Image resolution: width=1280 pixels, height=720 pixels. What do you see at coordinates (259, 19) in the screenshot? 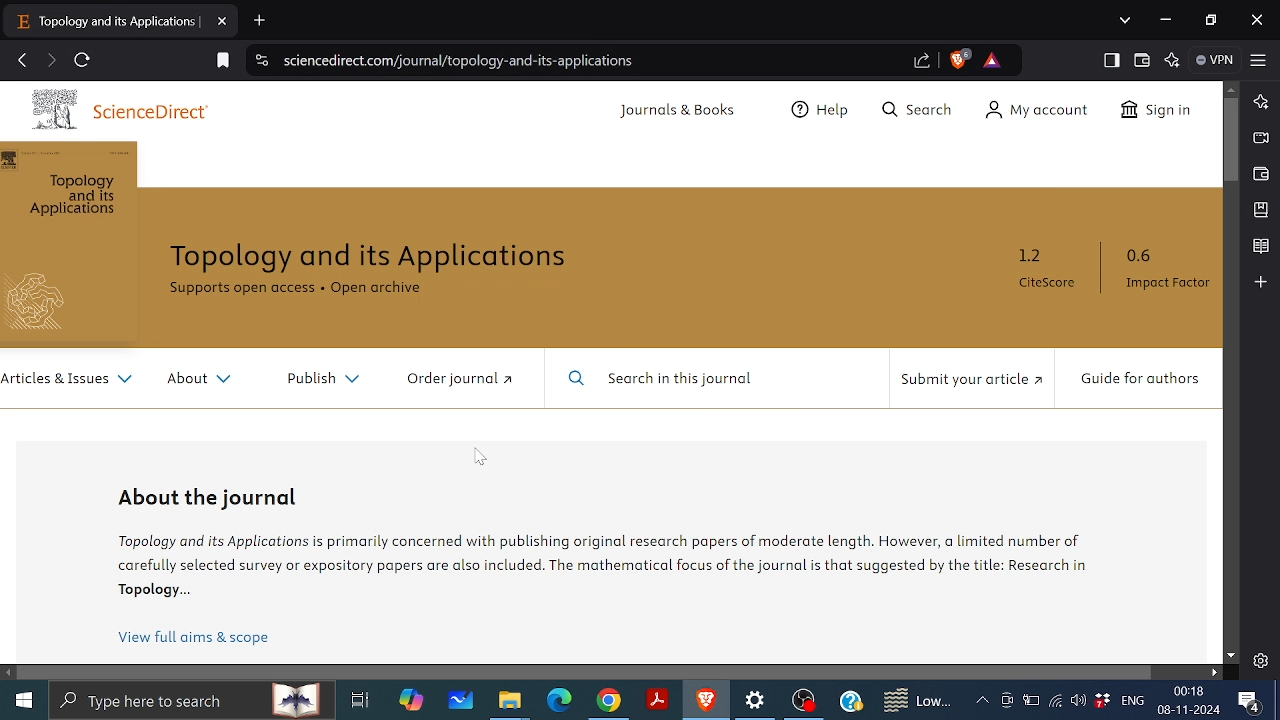
I see `Add new tab` at bounding box center [259, 19].